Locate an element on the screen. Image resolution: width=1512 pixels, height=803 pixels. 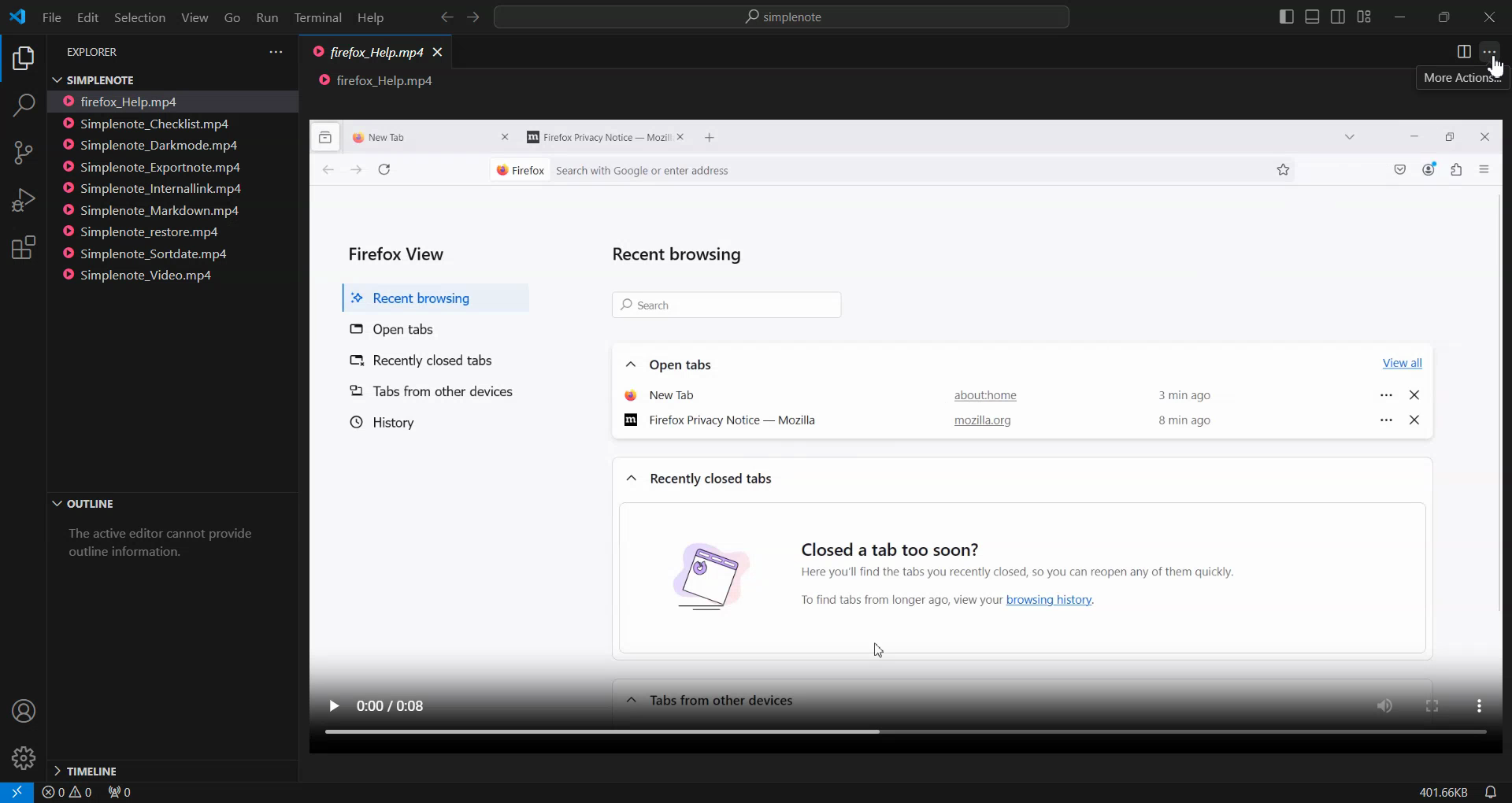
View is located at coordinates (195, 17).